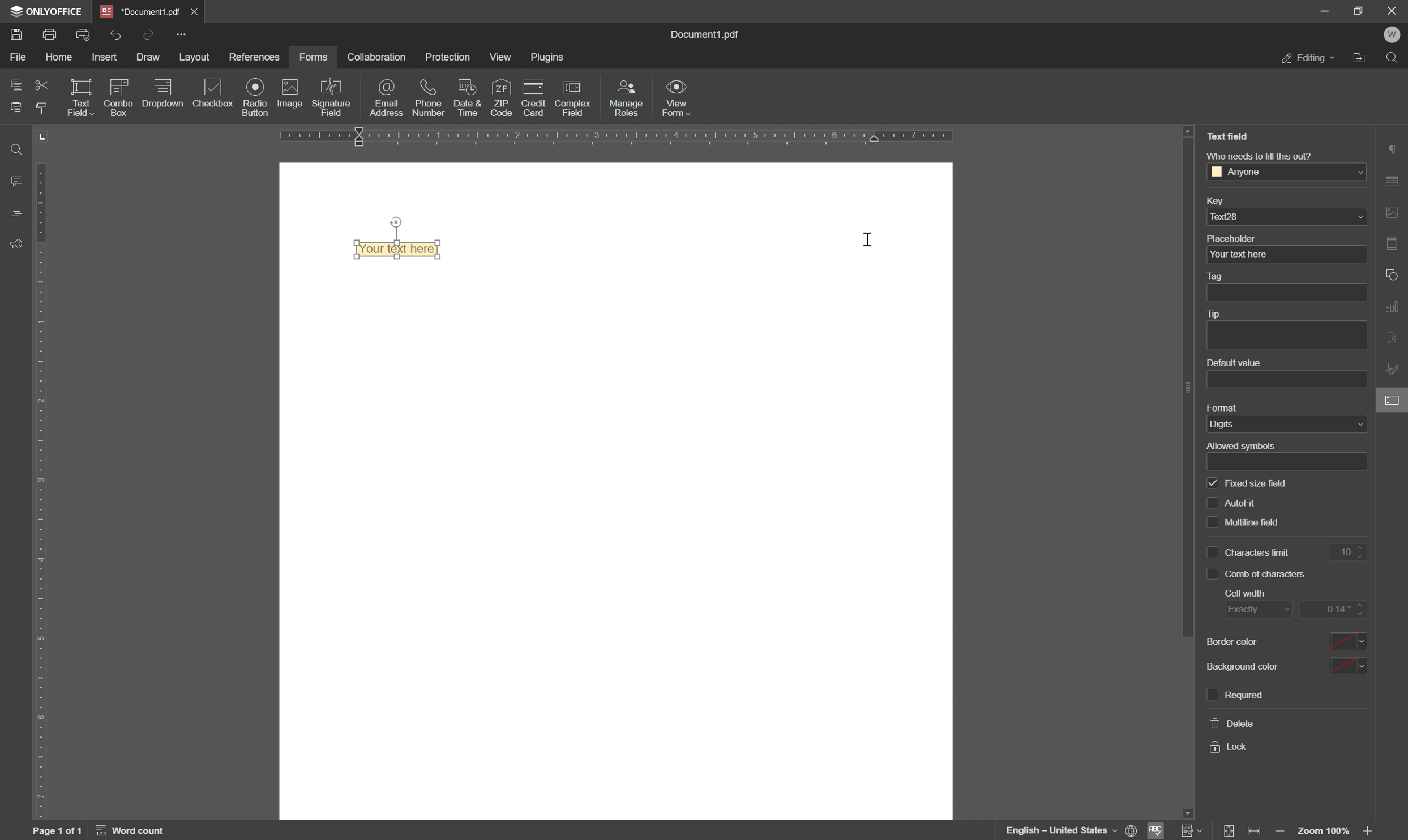 The image size is (1408, 840). Describe the element at coordinates (139, 10) in the screenshot. I see `*document1.pdf` at that location.